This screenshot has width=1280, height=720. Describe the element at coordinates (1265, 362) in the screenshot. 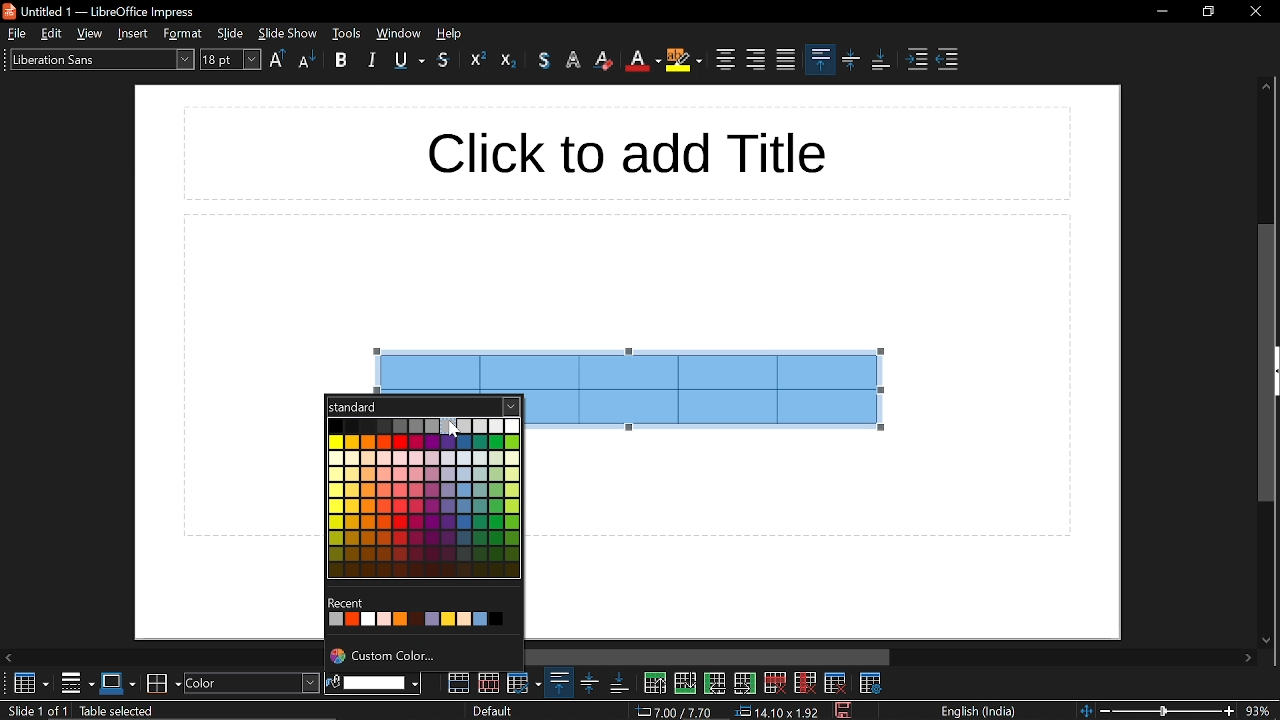

I see `vertical scrollbar` at that location.